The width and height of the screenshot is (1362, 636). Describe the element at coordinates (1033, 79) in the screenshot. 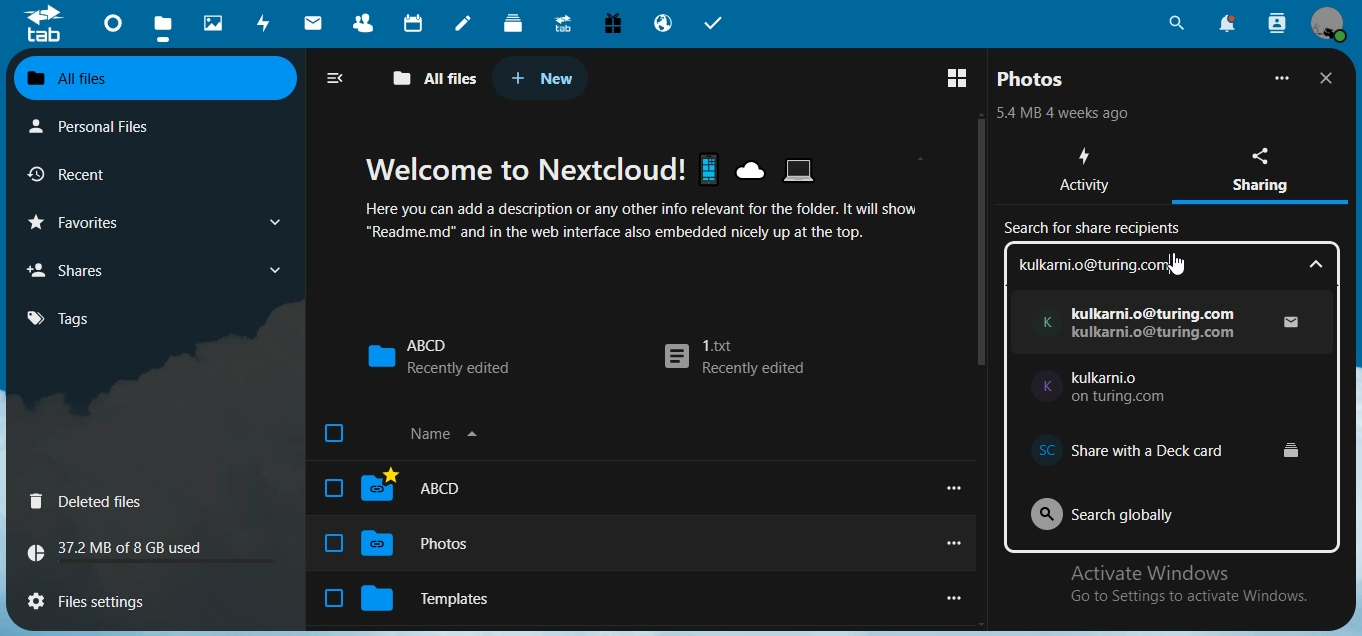

I see `photos` at that location.